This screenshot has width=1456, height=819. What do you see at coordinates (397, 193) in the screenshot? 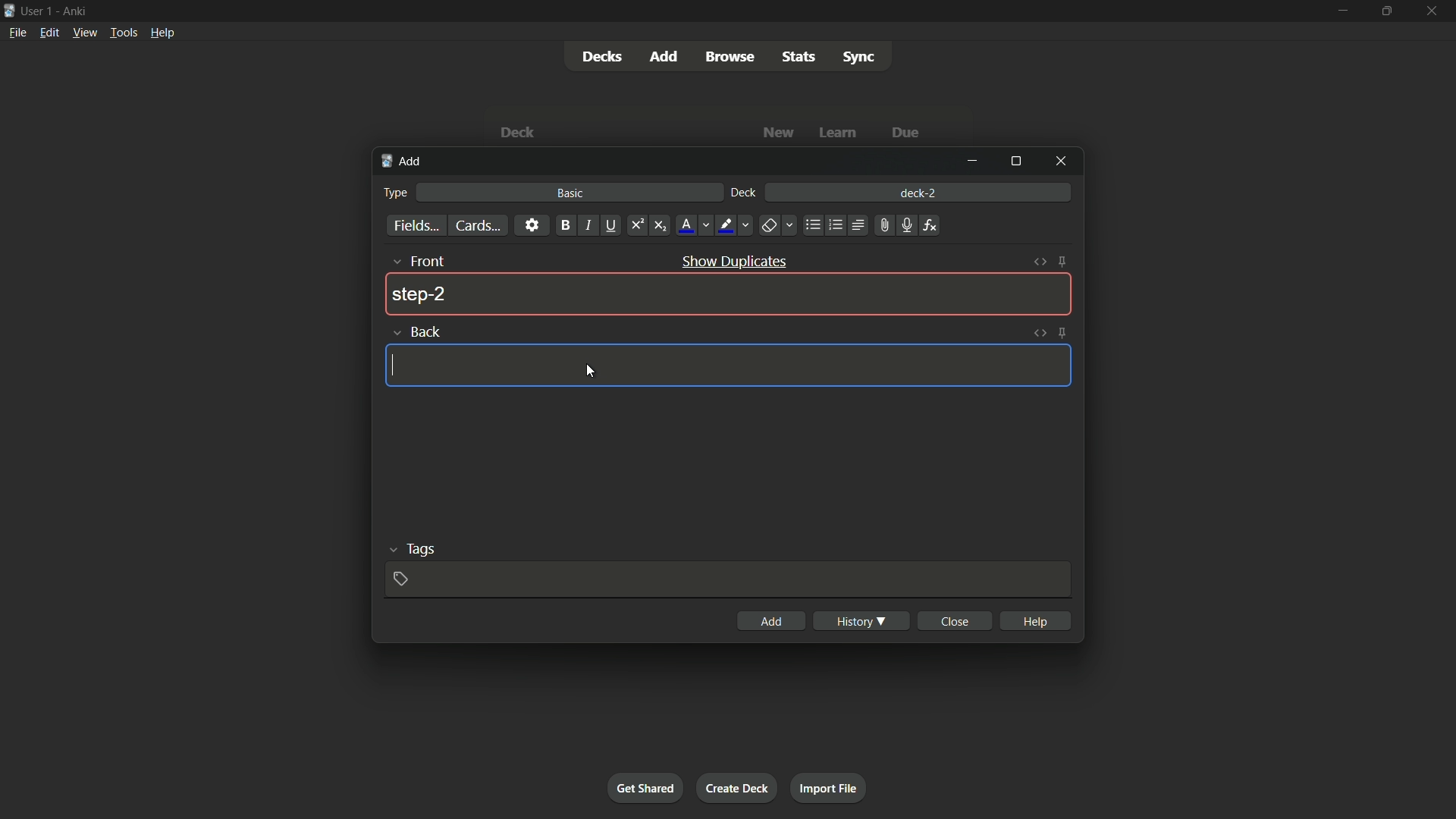
I see `type` at bounding box center [397, 193].